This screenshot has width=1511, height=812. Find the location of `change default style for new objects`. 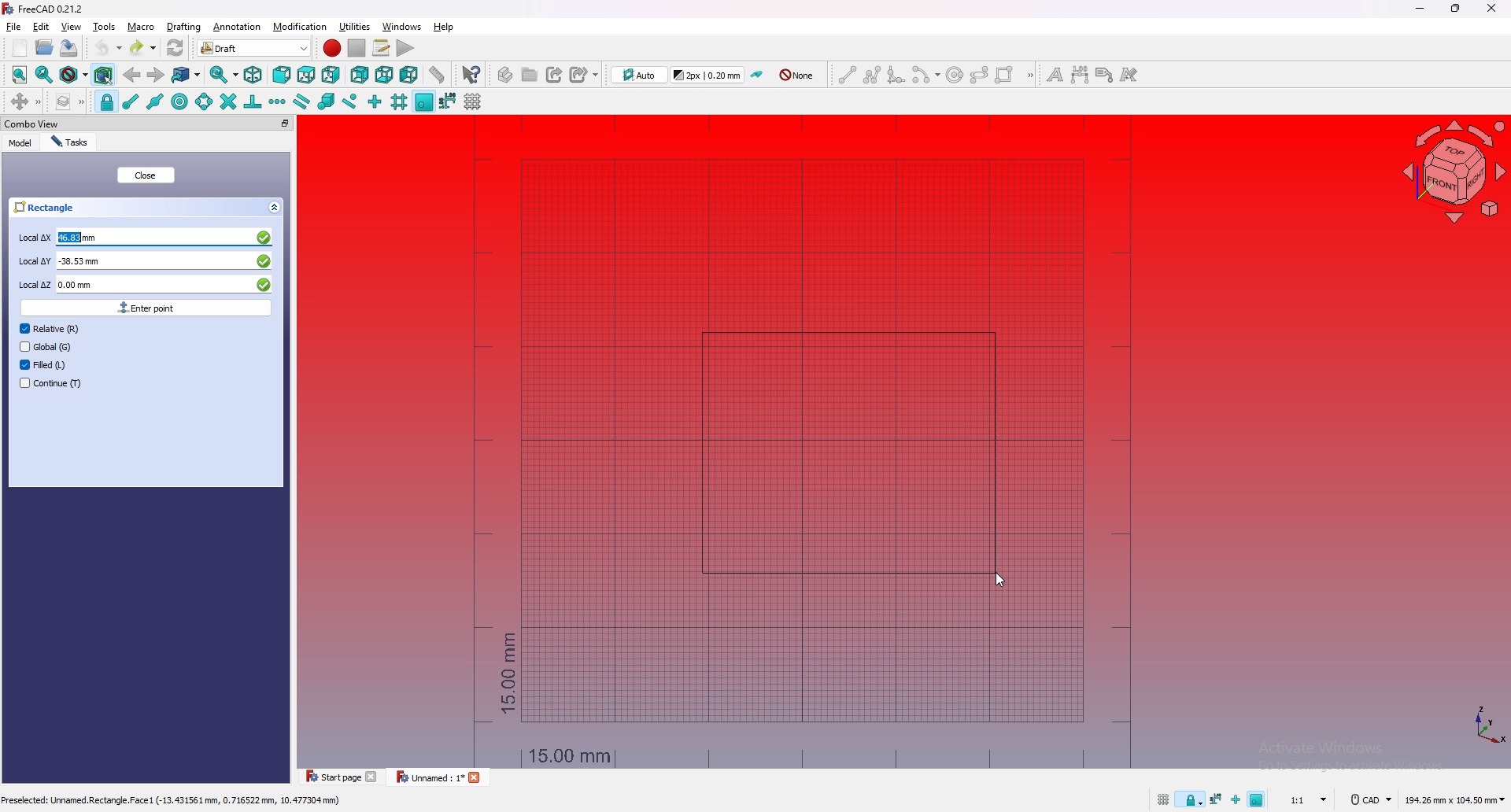

change default style for new objects is located at coordinates (709, 74).